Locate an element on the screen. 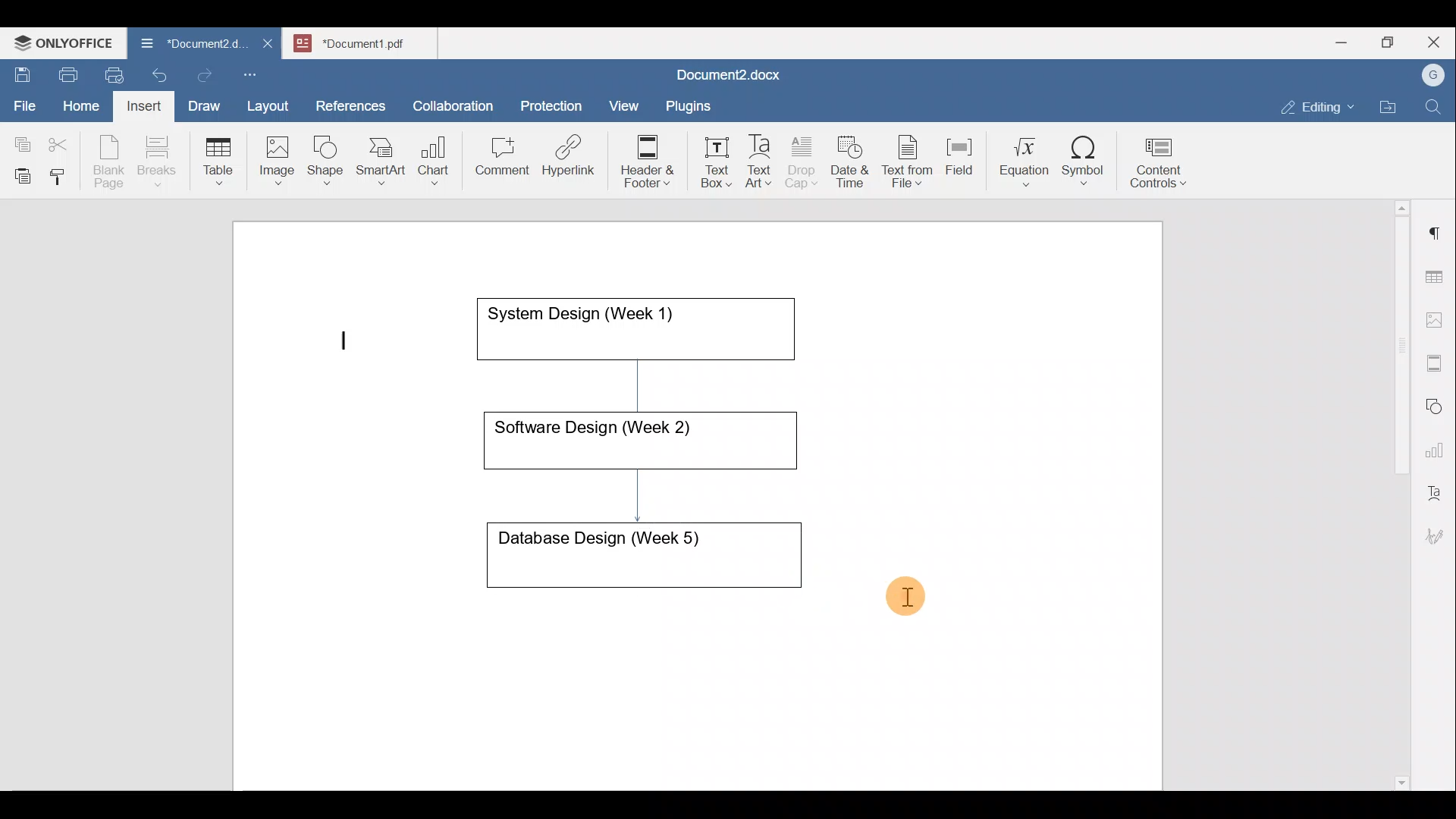  Home is located at coordinates (82, 105).